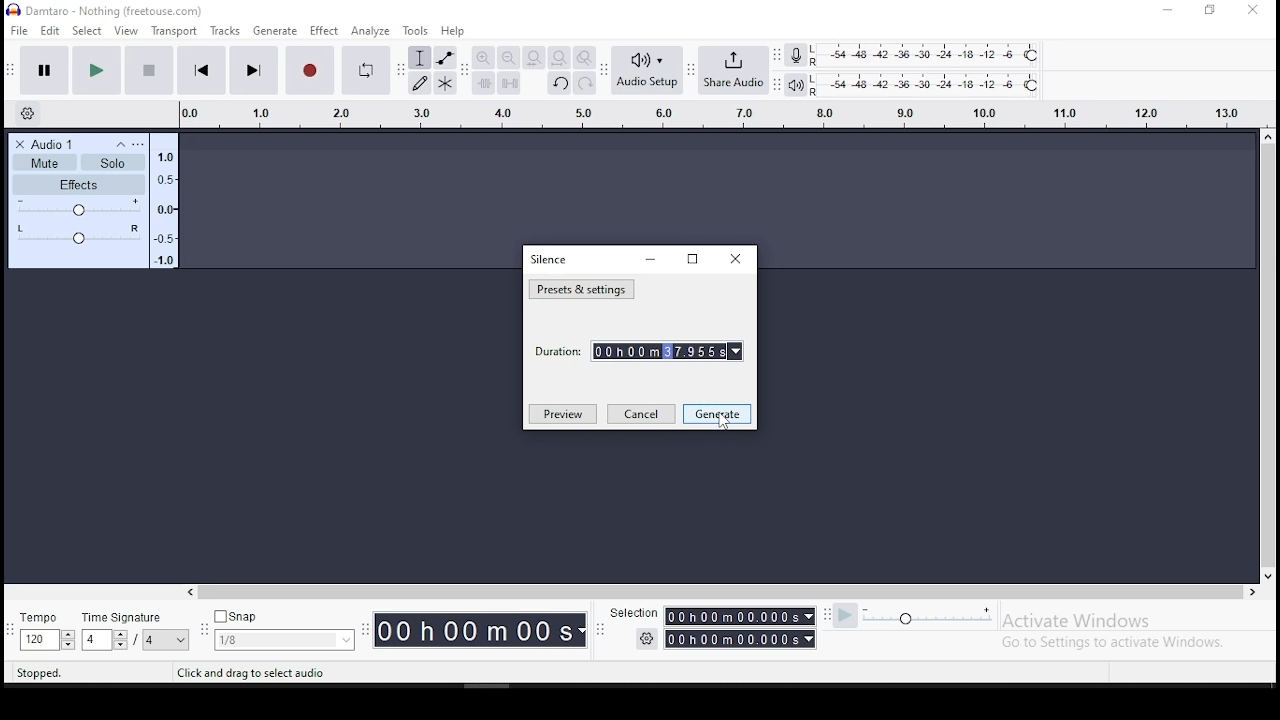  Describe the element at coordinates (417, 30) in the screenshot. I see `tools` at that location.